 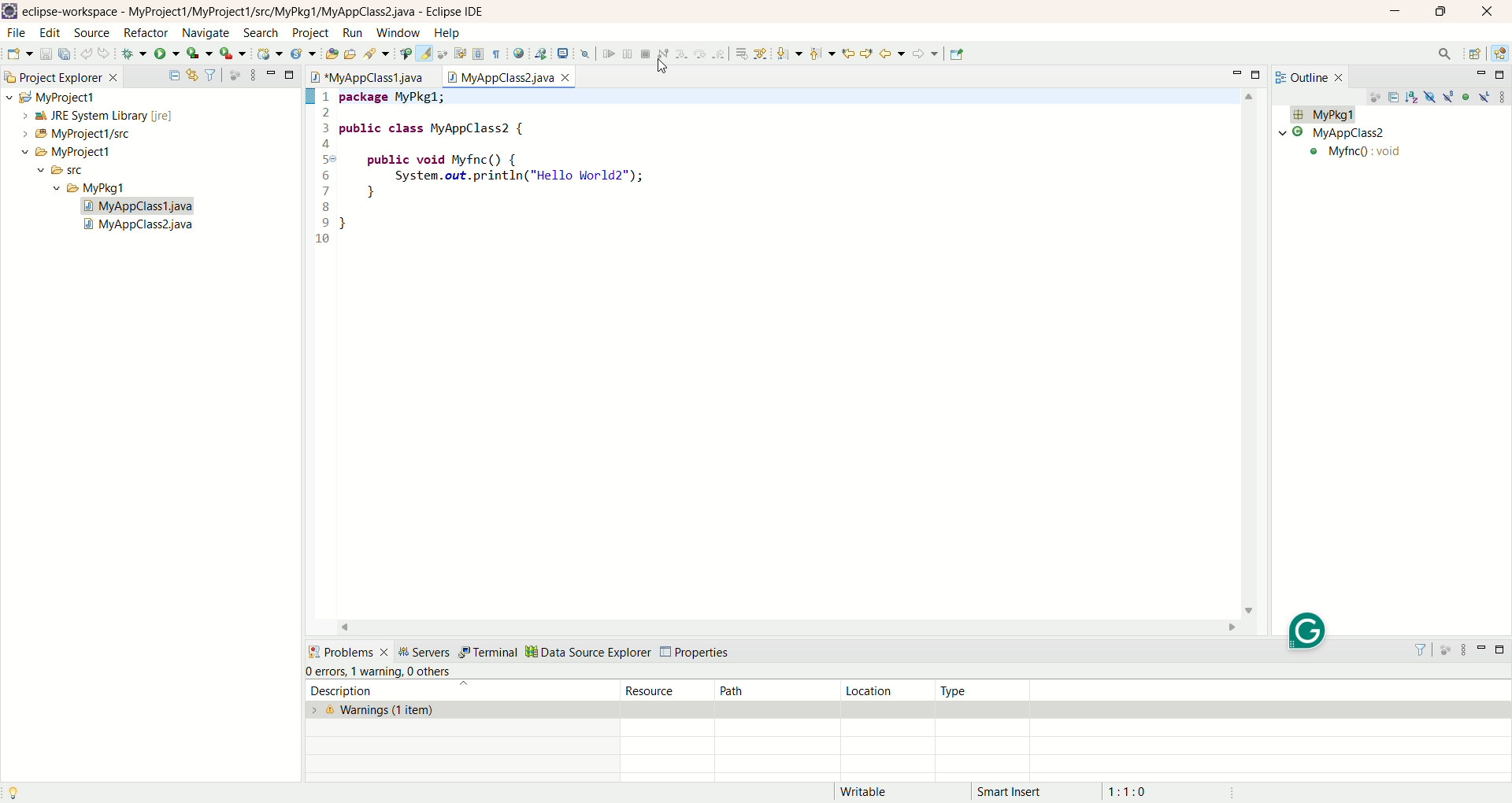 What do you see at coordinates (271, 72) in the screenshot?
I see `minimize` at bounding box center [271, 72].